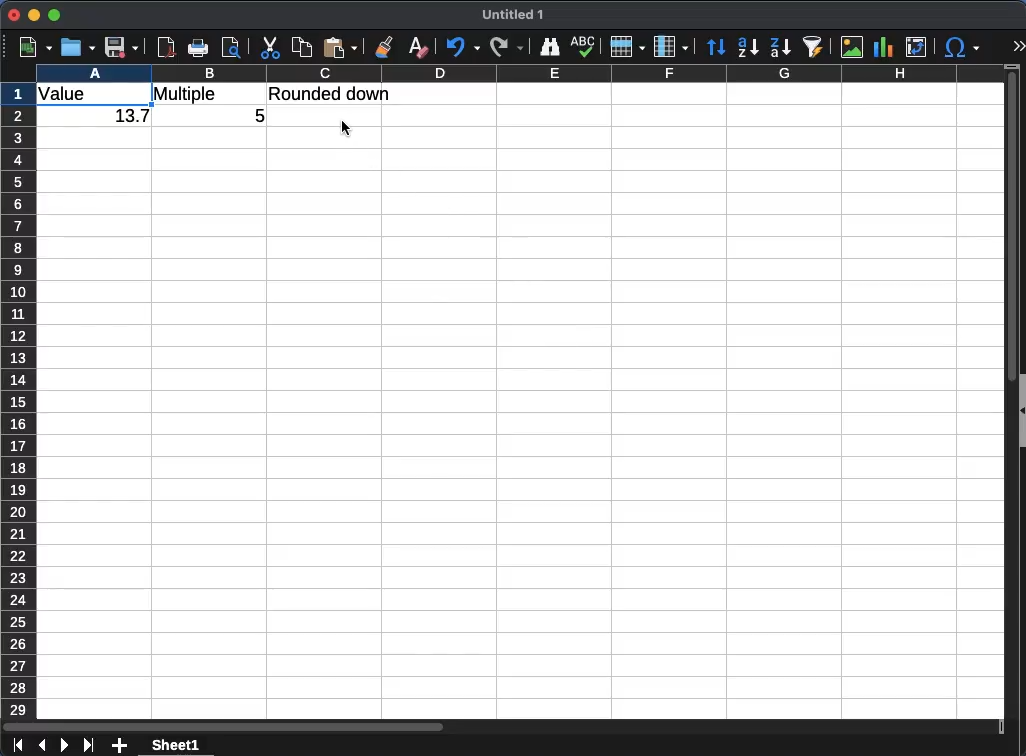 The image size is (1026, 756). Describe the element at coordinates (532, 72) in the screenshot. I see `column` at that location.